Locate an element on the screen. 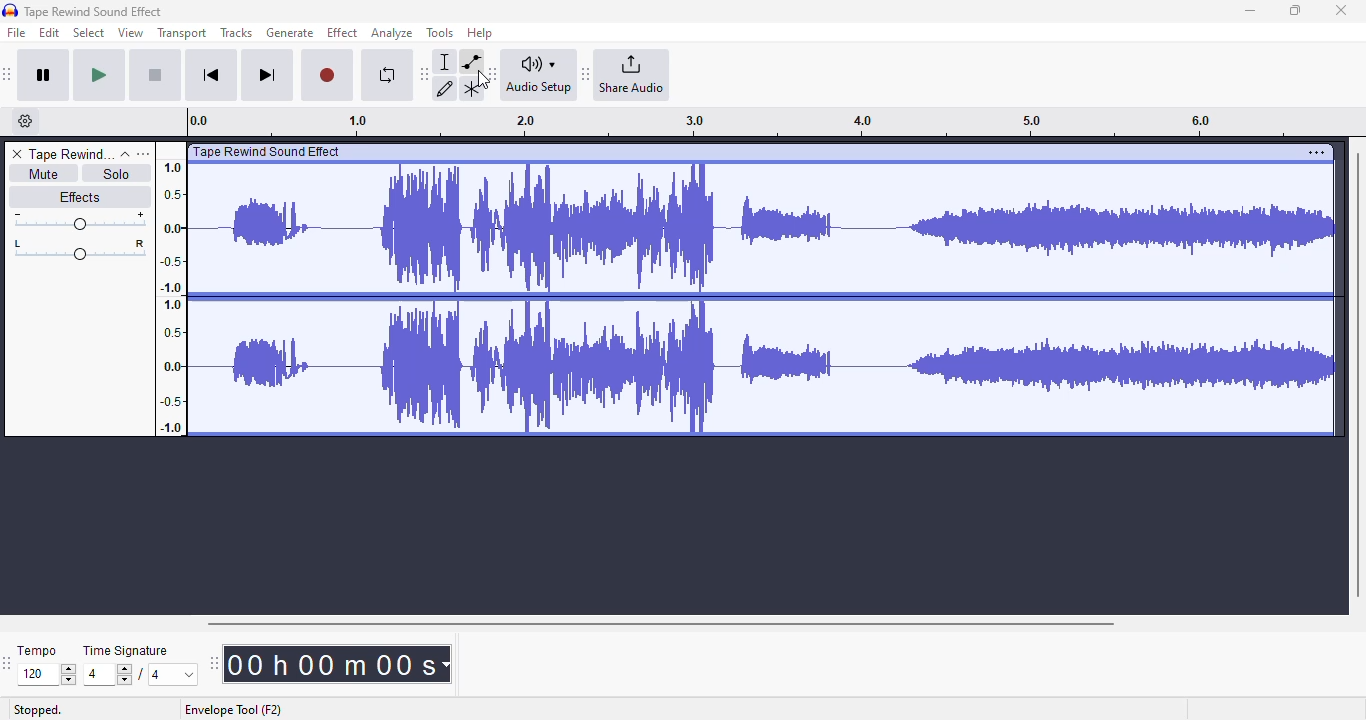  mute is located at coordinates (42, 174).